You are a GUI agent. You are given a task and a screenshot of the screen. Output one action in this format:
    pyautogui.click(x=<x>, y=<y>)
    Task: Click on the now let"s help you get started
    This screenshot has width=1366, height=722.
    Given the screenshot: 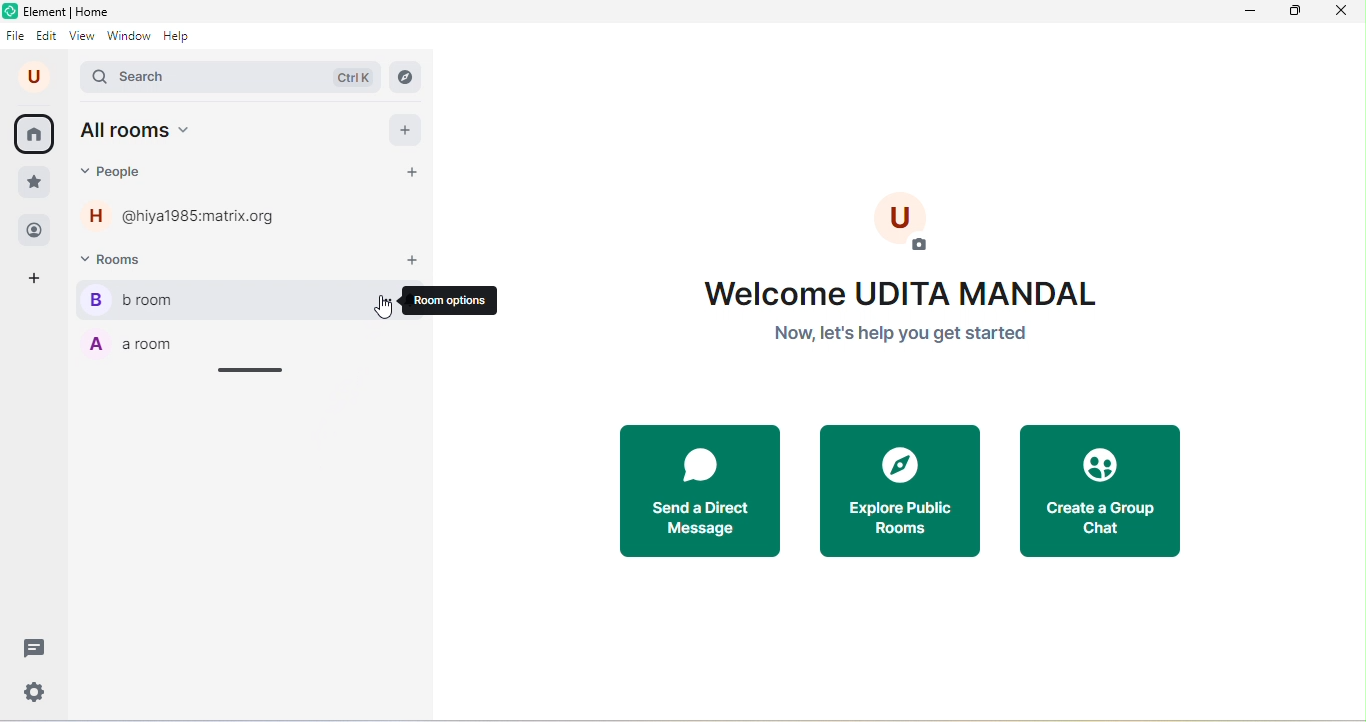 What is the action you would take?
    pyautogui.click(x=898, y=333)
    